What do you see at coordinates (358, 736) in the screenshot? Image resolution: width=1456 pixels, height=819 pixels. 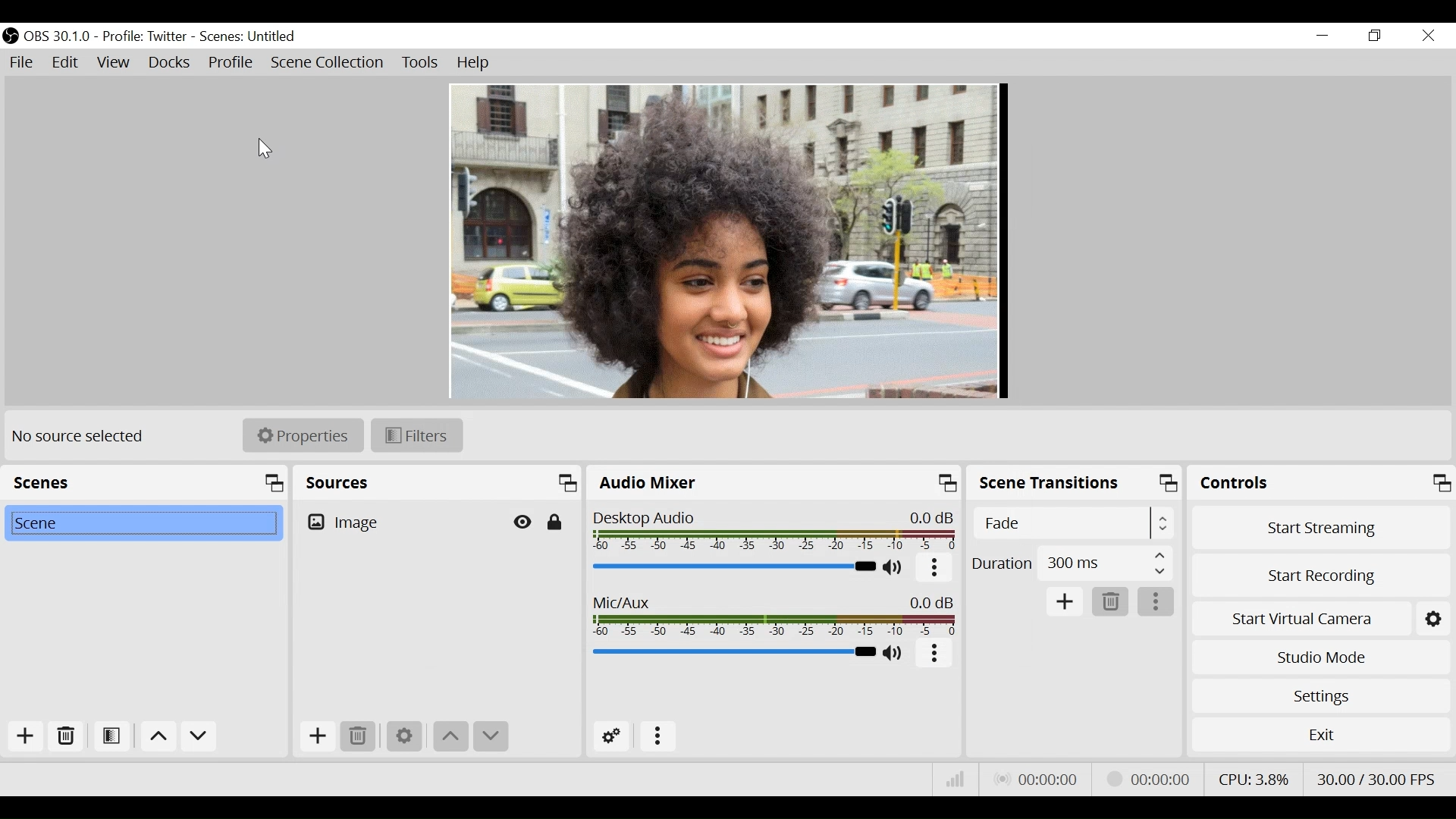 I see `Delete` at bounding box center [358, 736].